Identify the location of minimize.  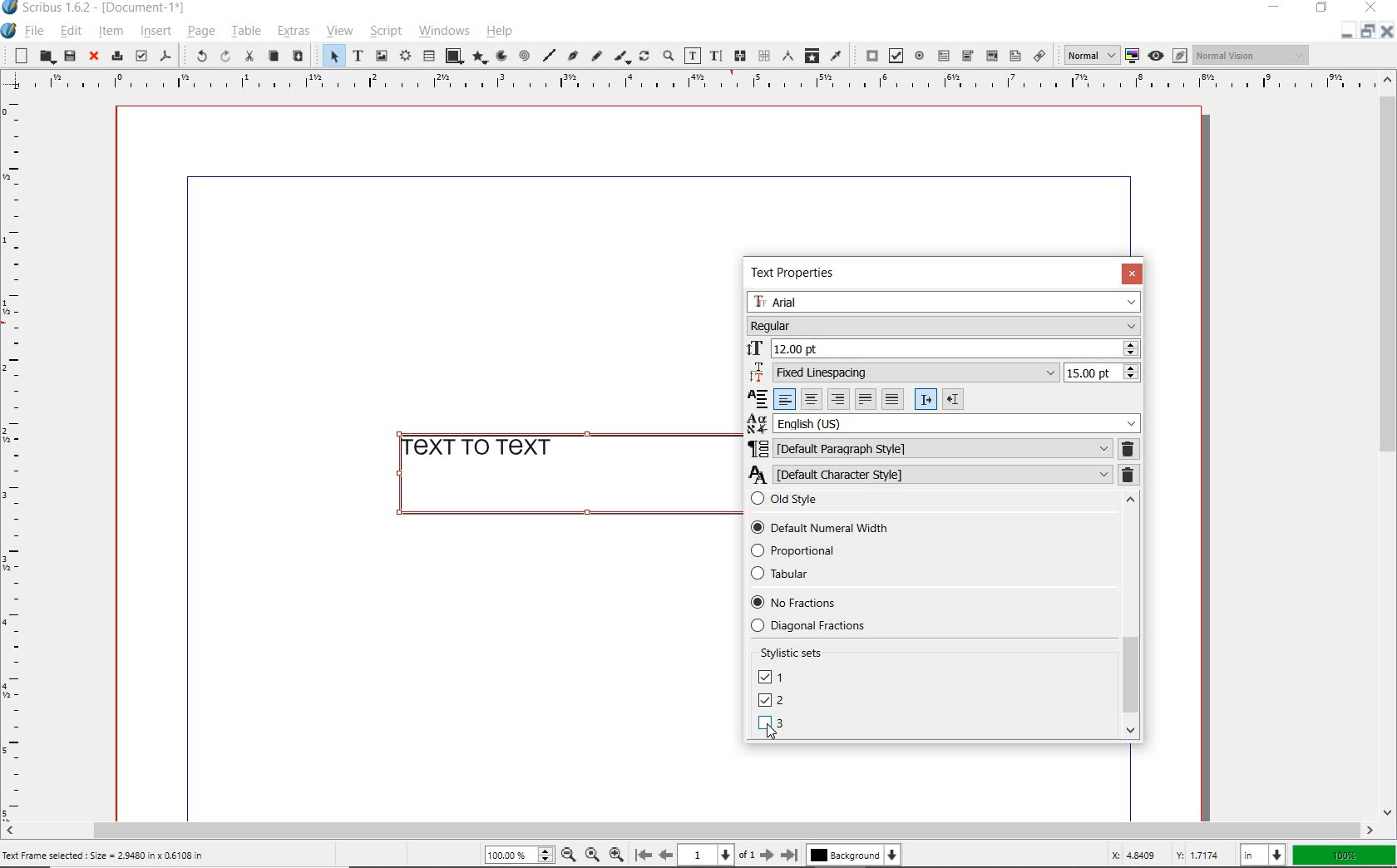
(1277, 8).